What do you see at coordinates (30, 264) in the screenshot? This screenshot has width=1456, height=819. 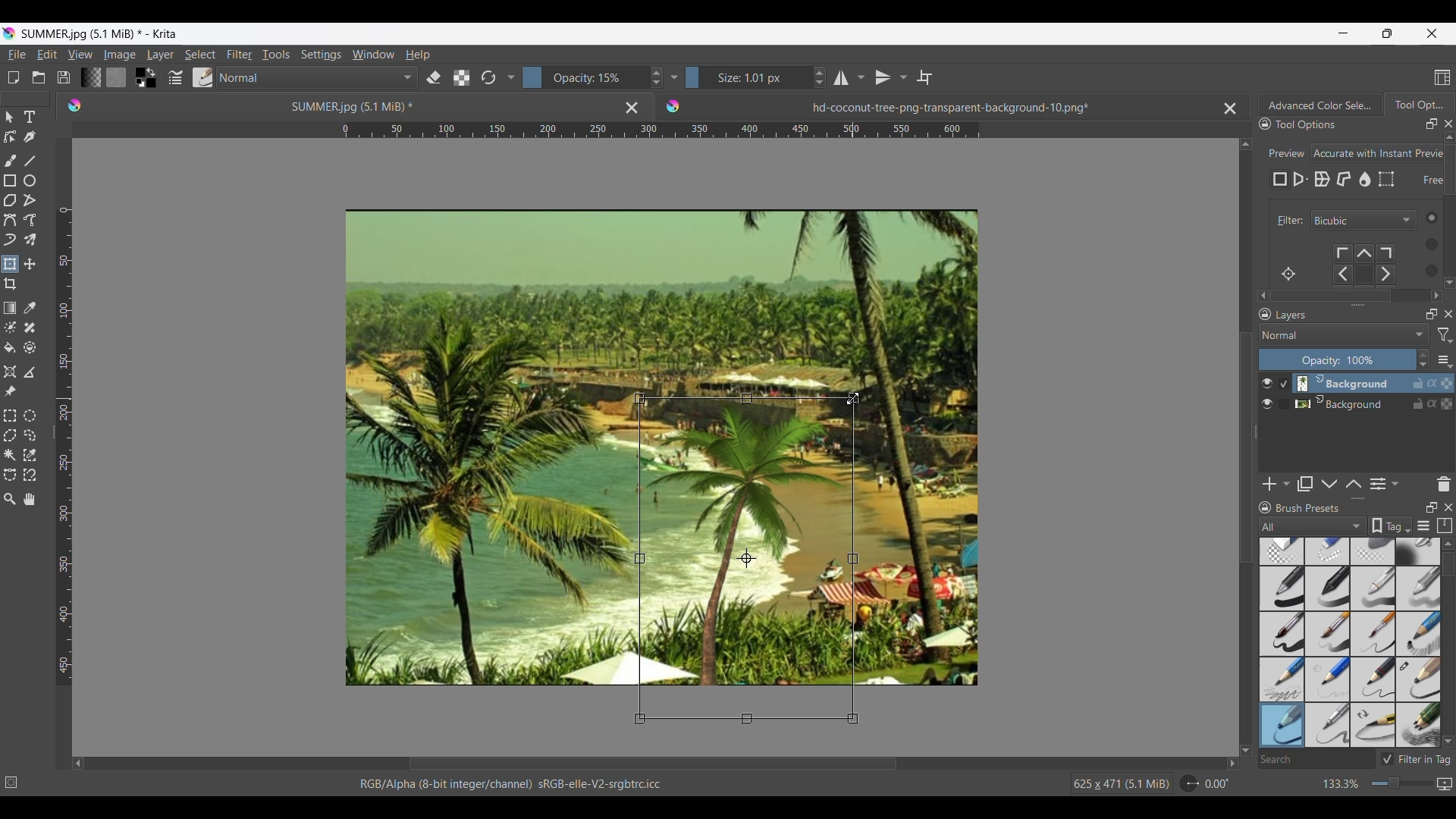 I see `Move position` at bounding box center [30, 264].